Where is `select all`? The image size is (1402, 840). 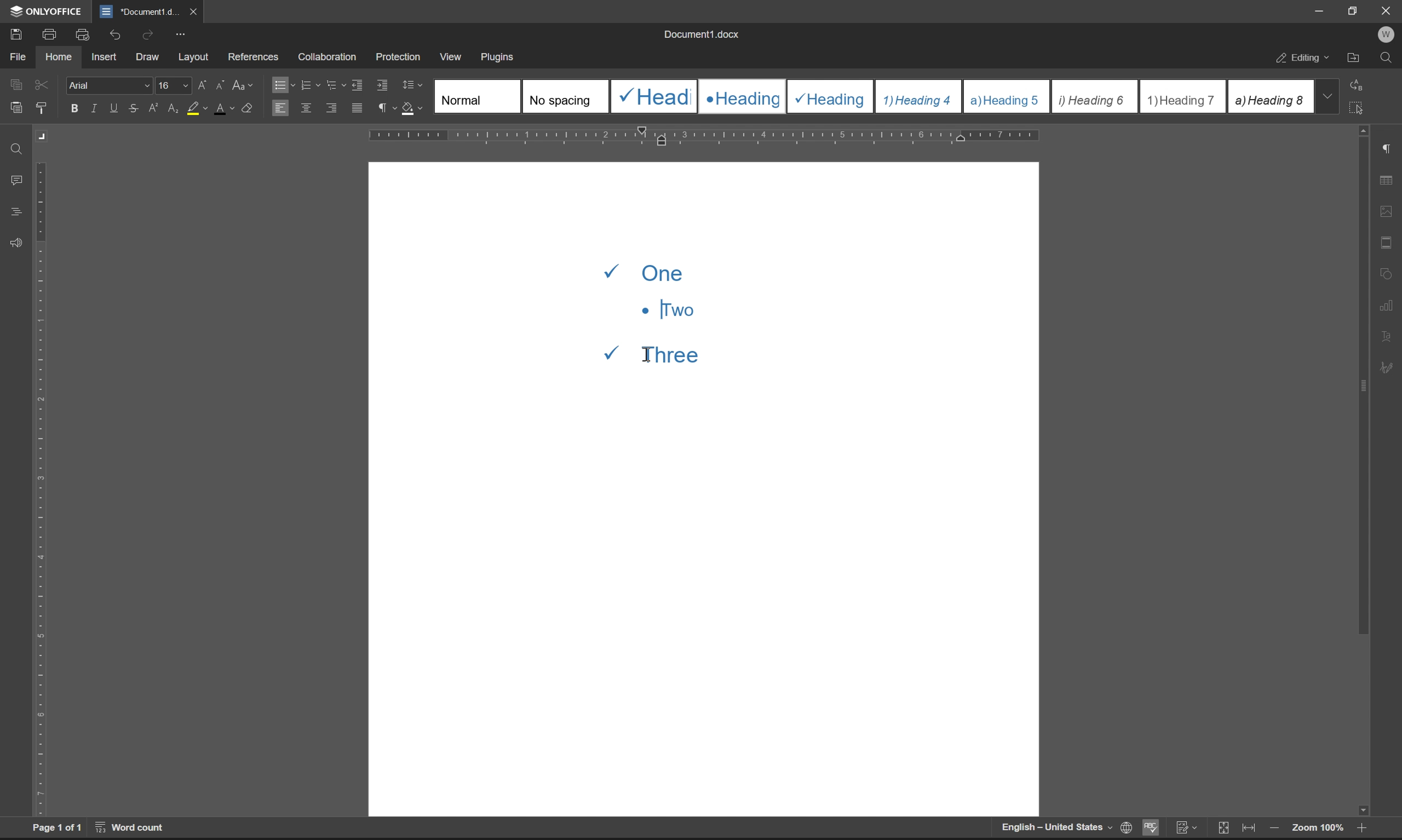
select all is located at coordinates (1359, 107).